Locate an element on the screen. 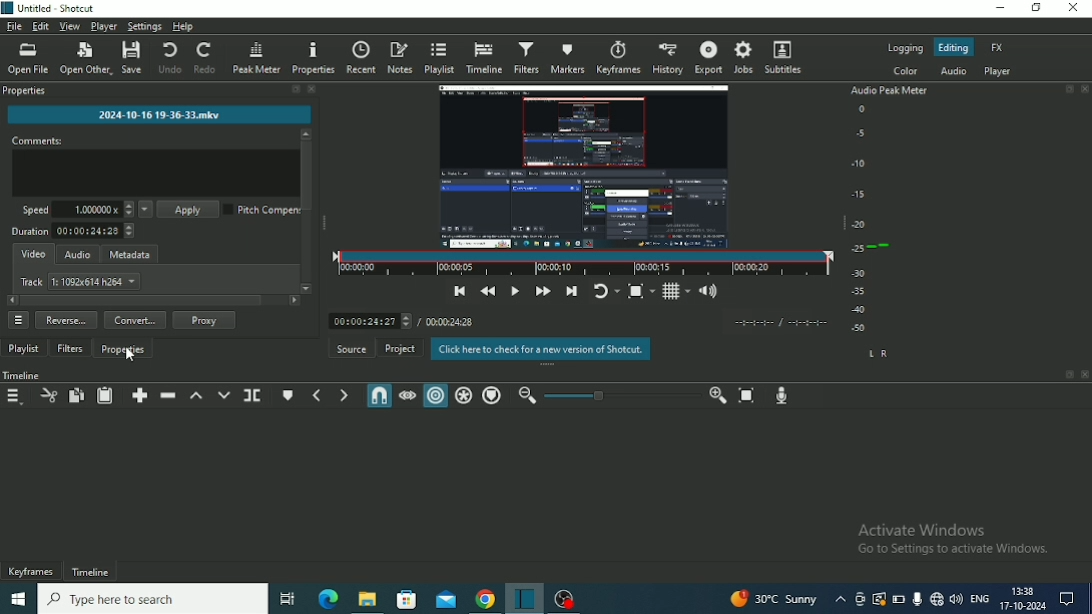  Ripple delete is located at coordinates (167, 395).